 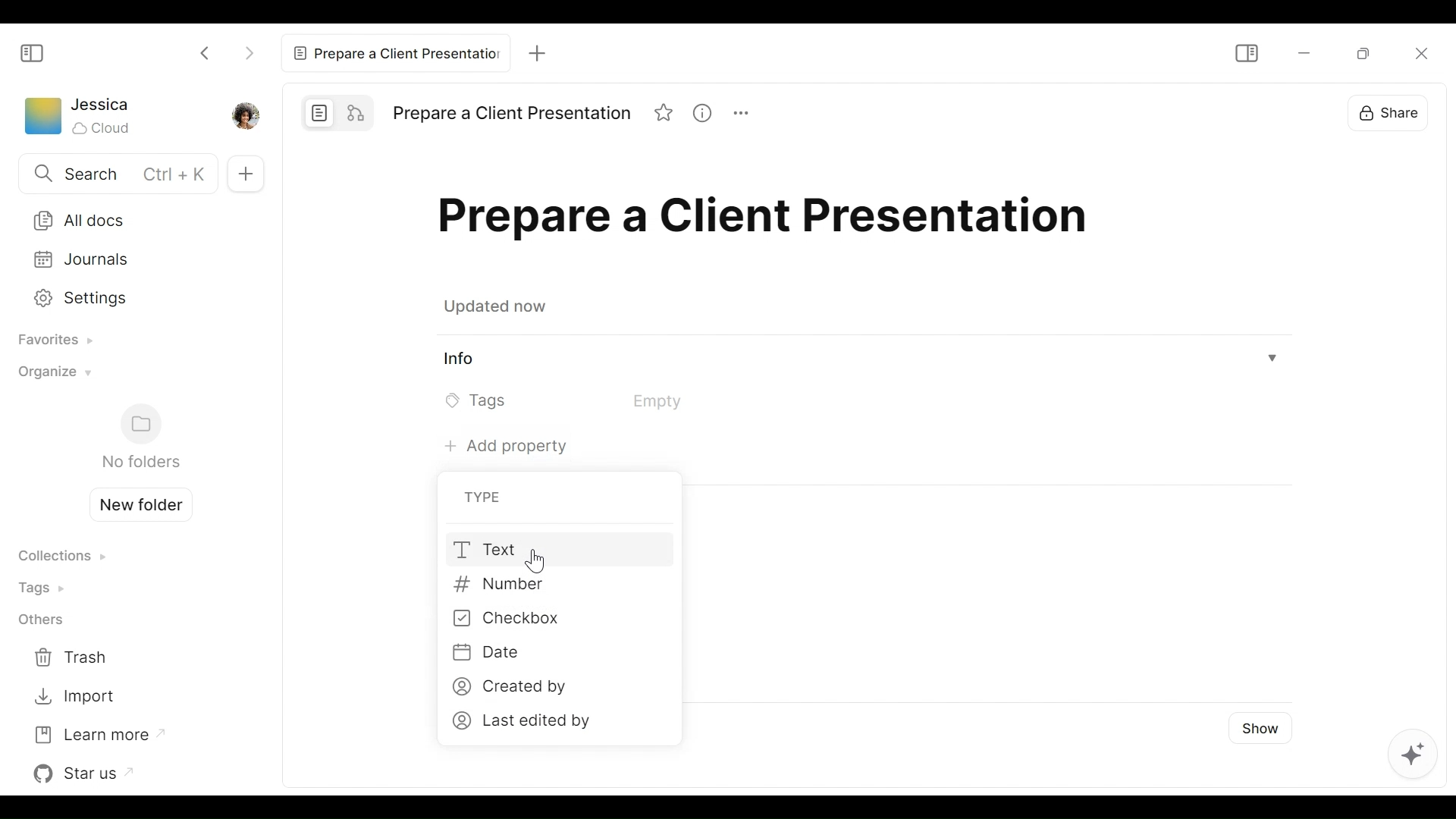 What do you see at coordinates (511, 114) in the screenshot?
I see `Title` at bounding box center [511, 114].